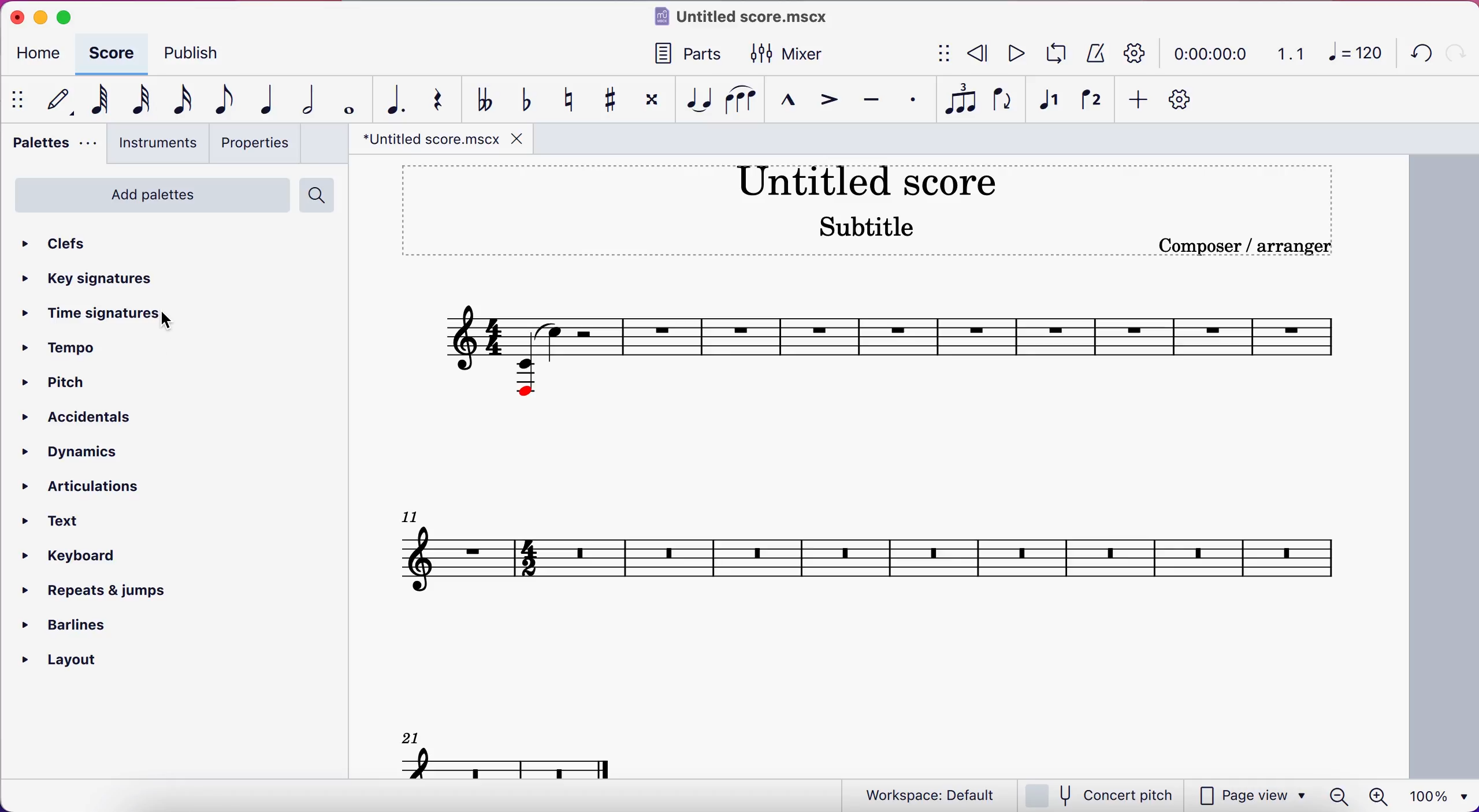  Describe the element at coordinates (179, 100) in the screenshot. I see `16th note` at that location.